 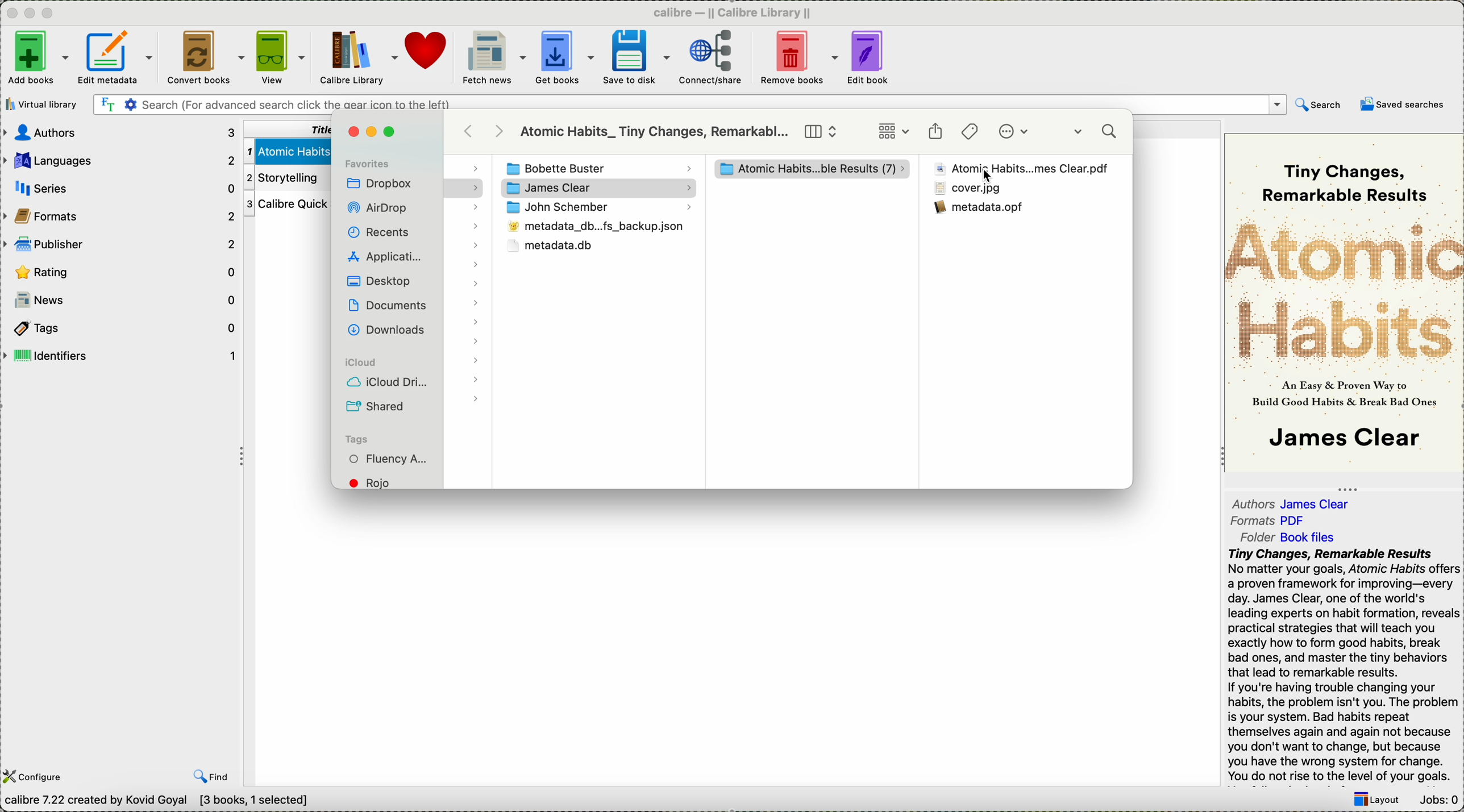 I want to click on more options, so click(x=1017, y=132).